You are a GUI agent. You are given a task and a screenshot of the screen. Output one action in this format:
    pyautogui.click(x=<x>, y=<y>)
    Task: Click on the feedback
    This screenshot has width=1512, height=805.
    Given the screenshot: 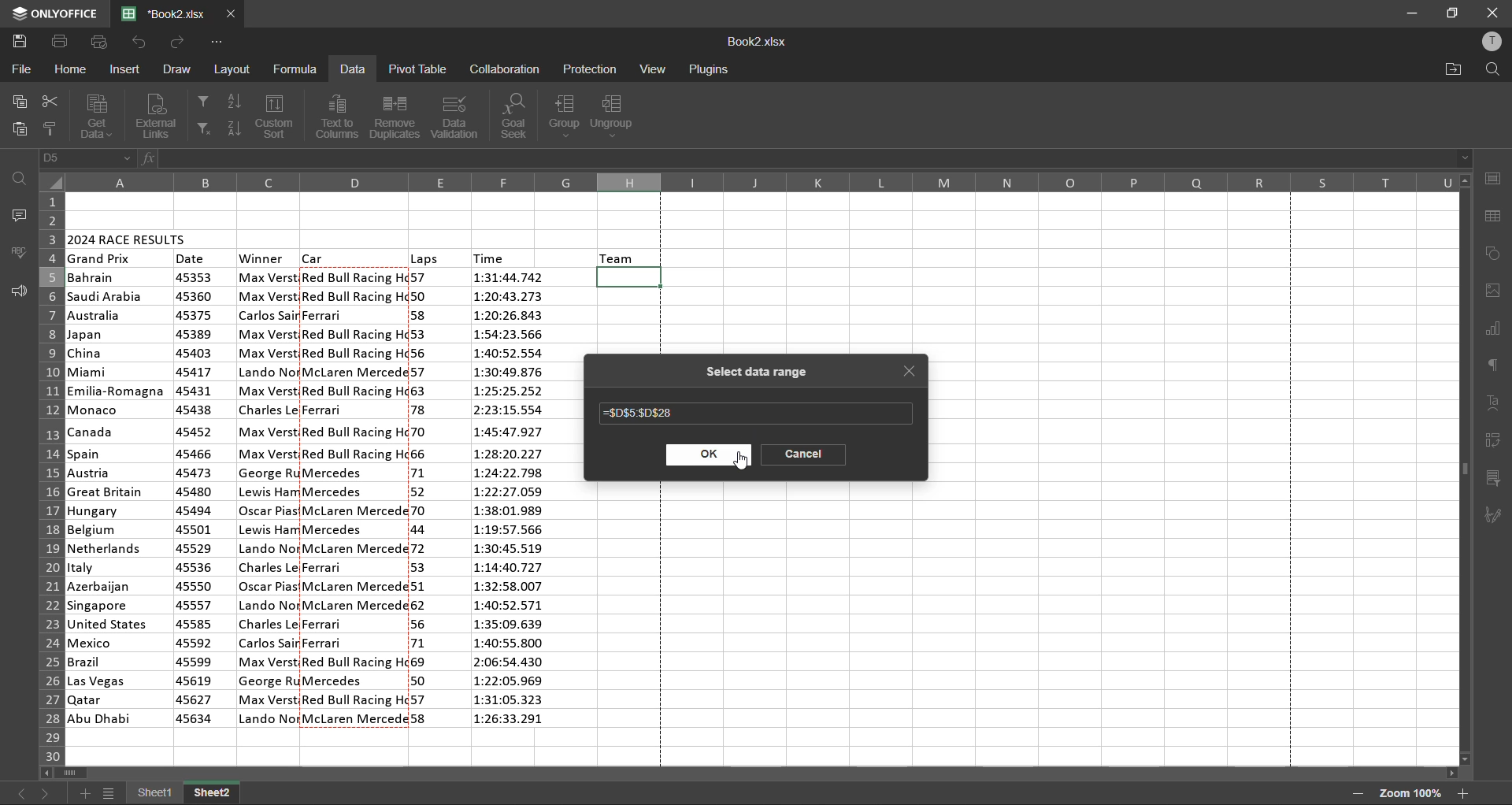 What is the action you would take?
    pyautogui.click(x=17, y=291)
    